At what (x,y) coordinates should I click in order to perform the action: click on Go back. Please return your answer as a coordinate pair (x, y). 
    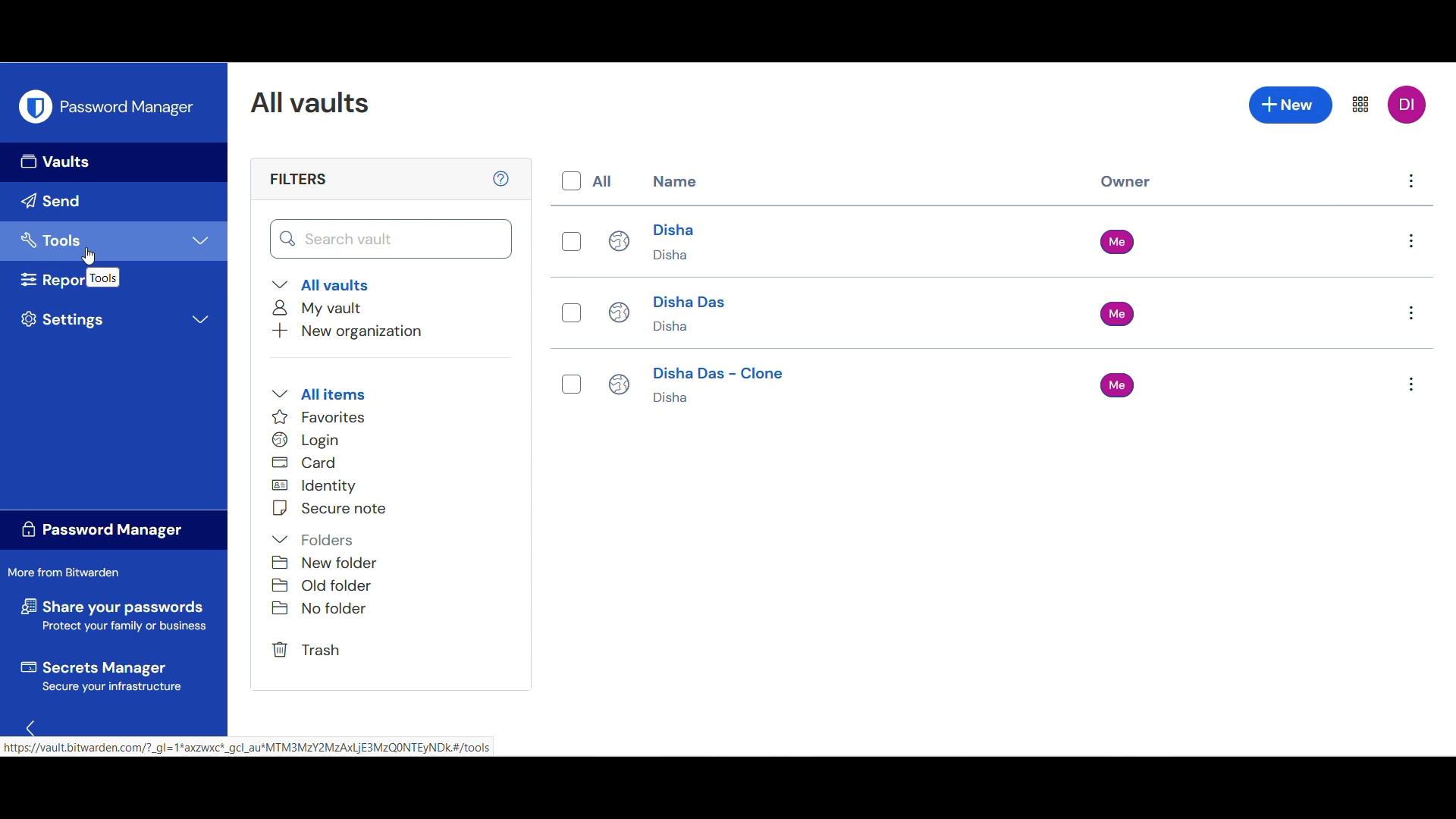
    Looking at the image, I should click on (30, 727).